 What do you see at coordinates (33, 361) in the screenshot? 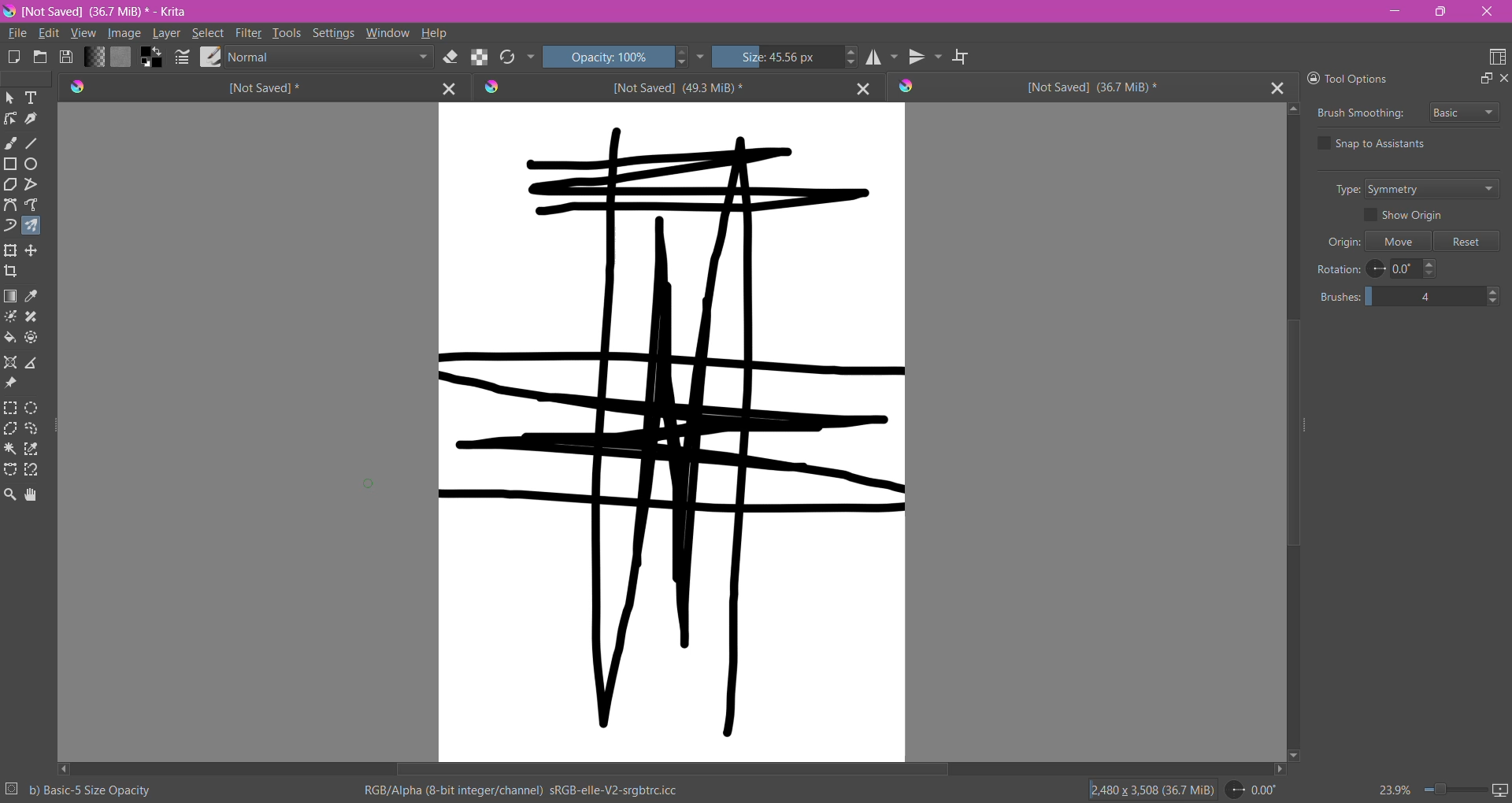
I see `Measure the distance between the two points` at bounding box center [33, 361].